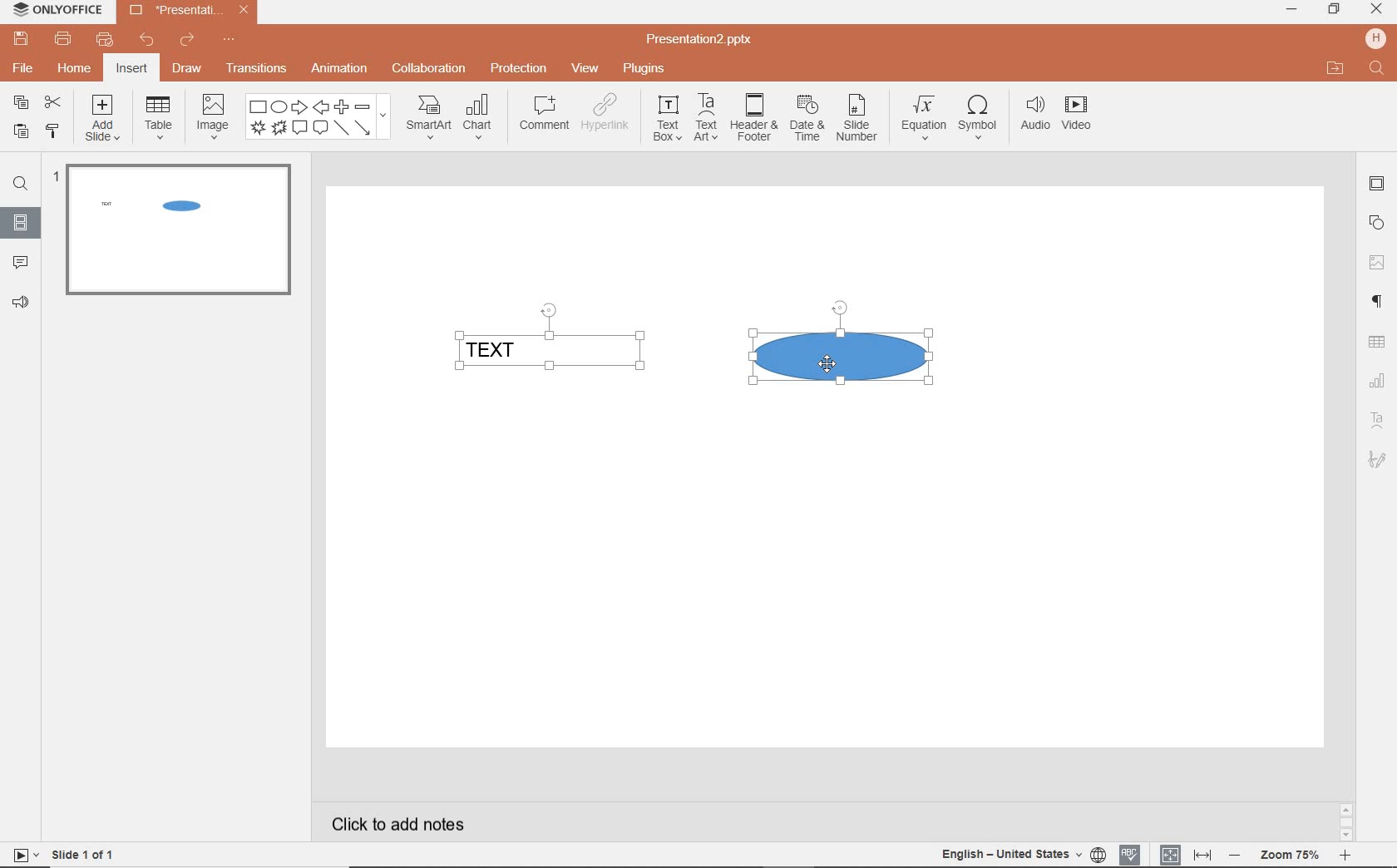  What do you see at coordinates (1333, 66) in the screenshot?
I see `OPEN FILE LOCATION` at bounding box center [1333, 66].